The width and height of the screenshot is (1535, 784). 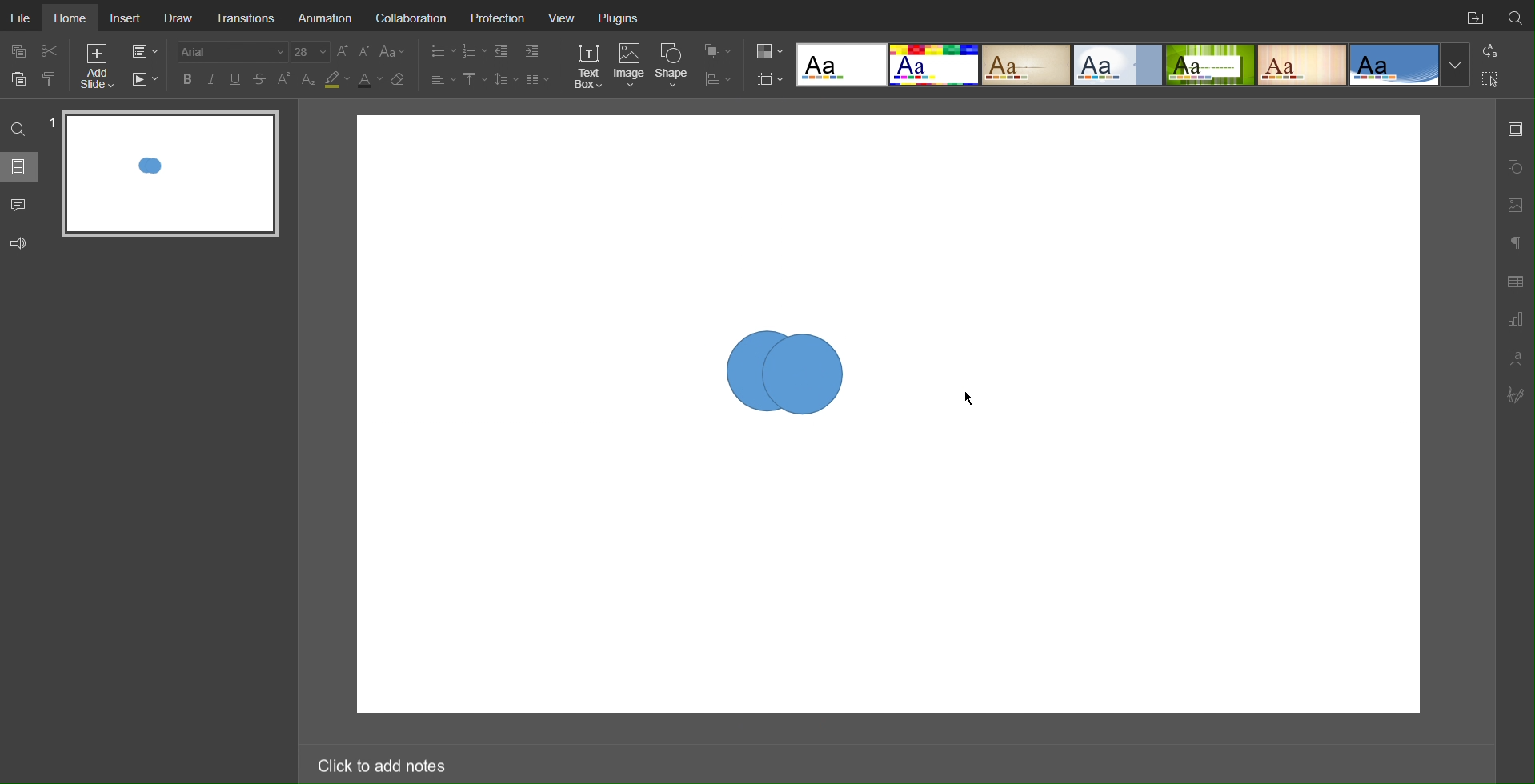 What do you see at coordinates (18, 244) in the screenshot?
I see `Feedback and Support` at bounding box center [18, 244].